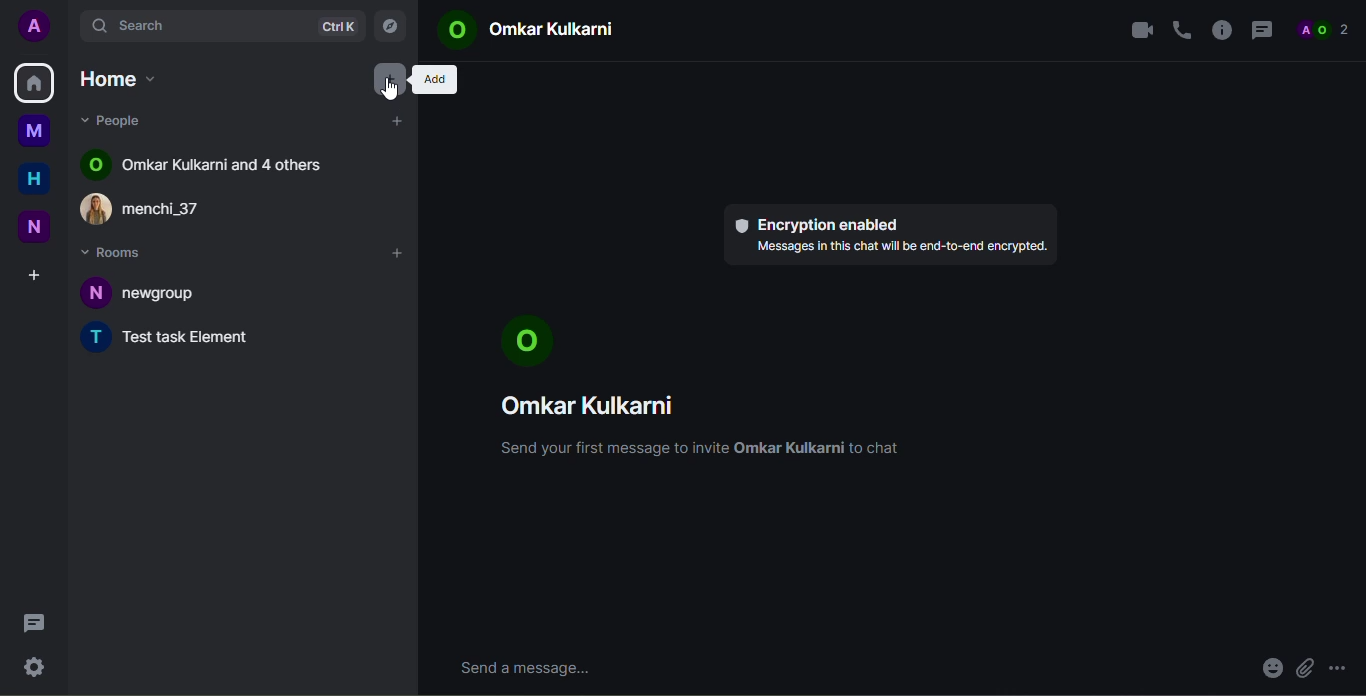 Image resolution: width=1366 pixels, height=696 pixels. Describe the element at coordinates (399, 122) in the screenshot. I see `add` at that location.